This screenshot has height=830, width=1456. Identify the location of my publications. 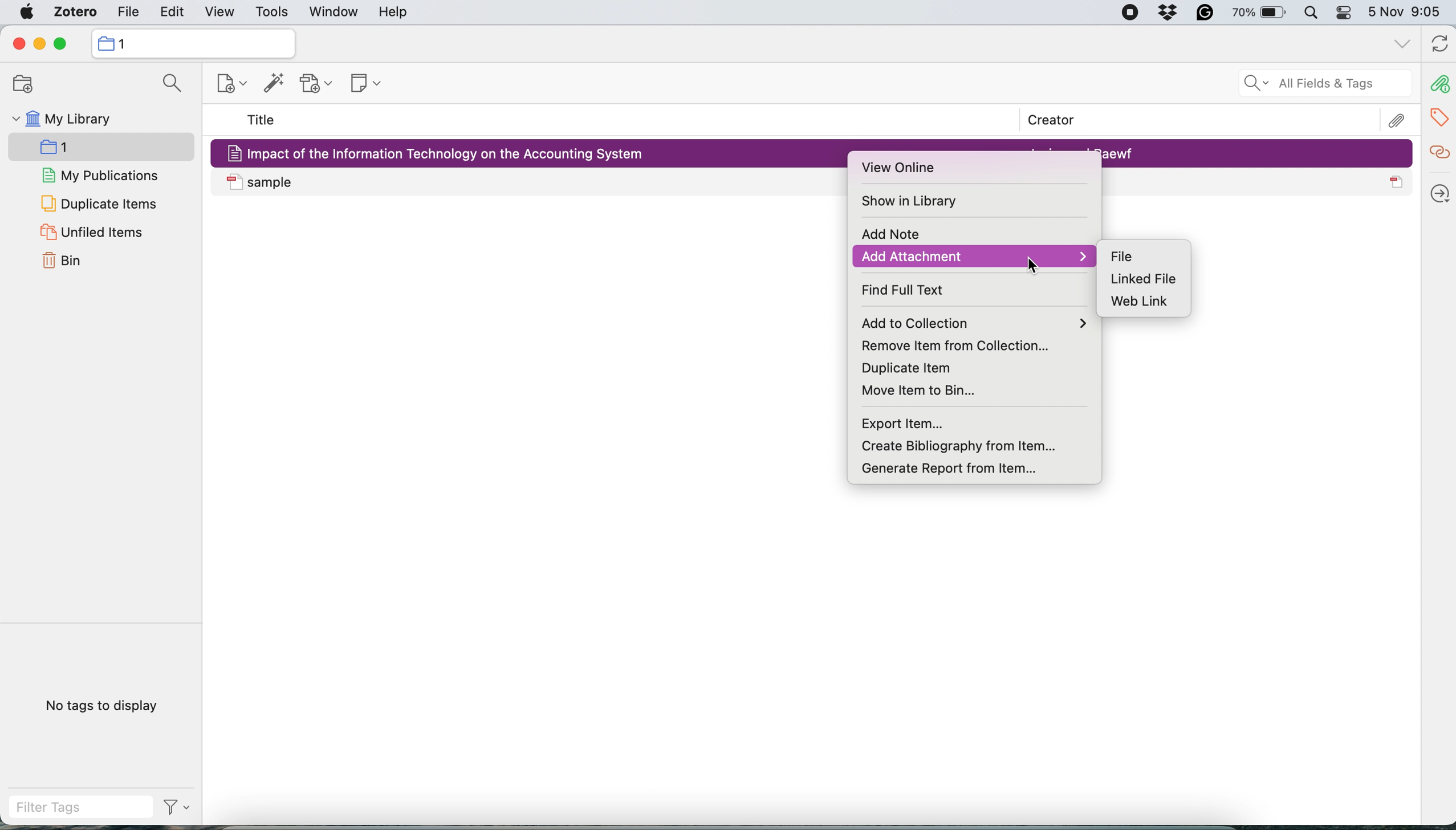
(101, 177).